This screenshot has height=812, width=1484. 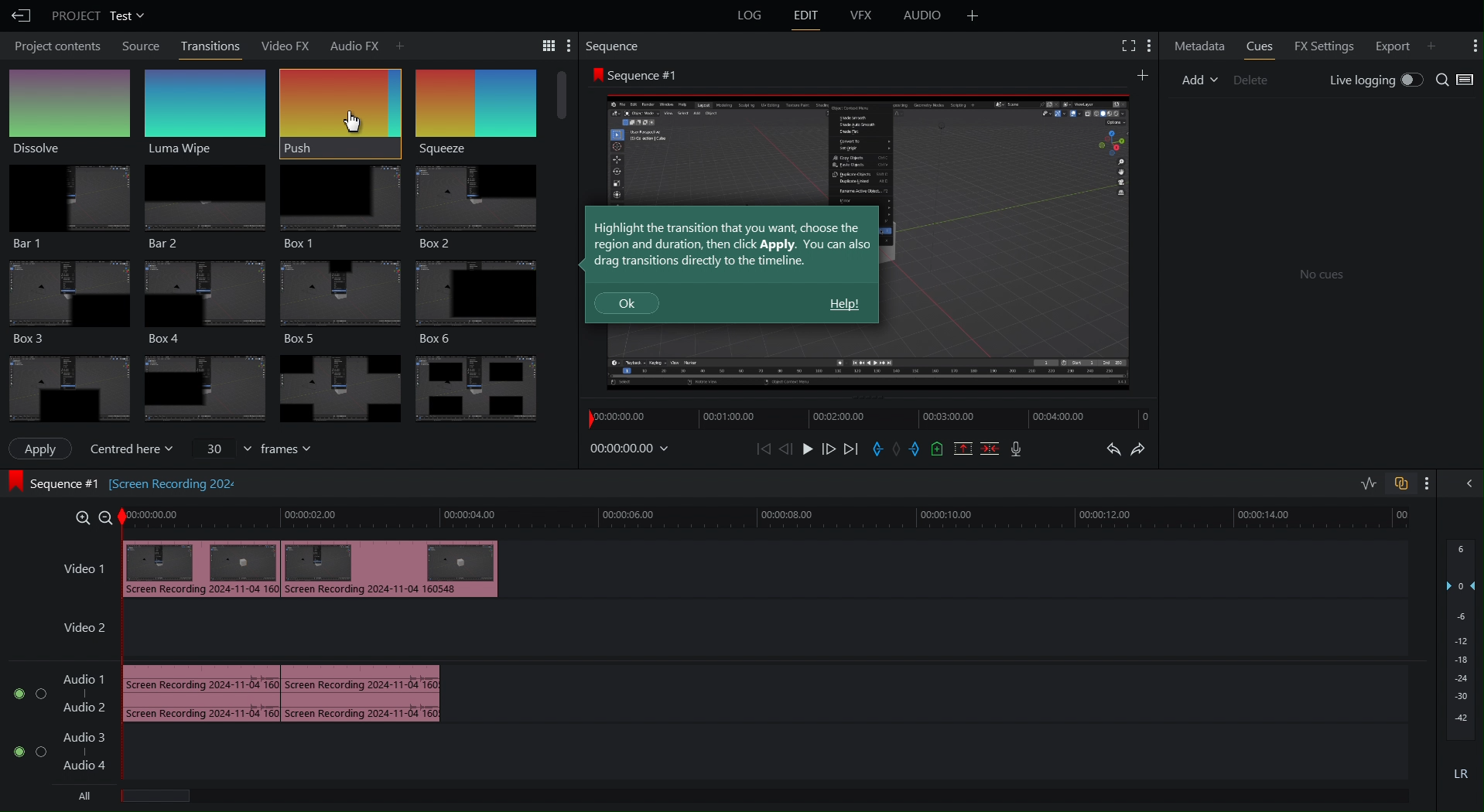 What do you see at coordinates (339, 112) in the screenshot?
I see `Push` at bounding box center [339, 112].